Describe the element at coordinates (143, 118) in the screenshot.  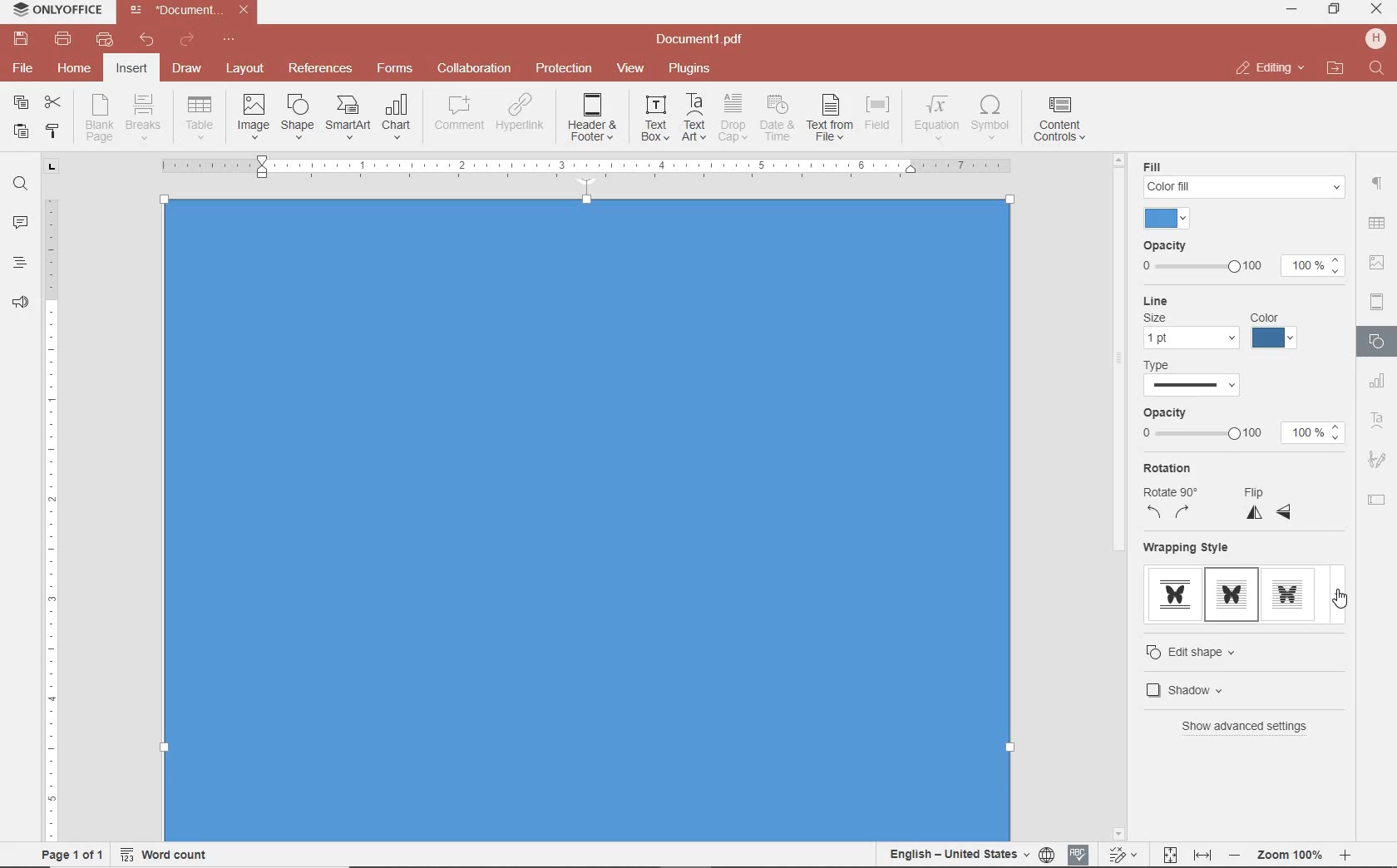
I see `INSERT PAGE OR SECTION BREAK` at that location.